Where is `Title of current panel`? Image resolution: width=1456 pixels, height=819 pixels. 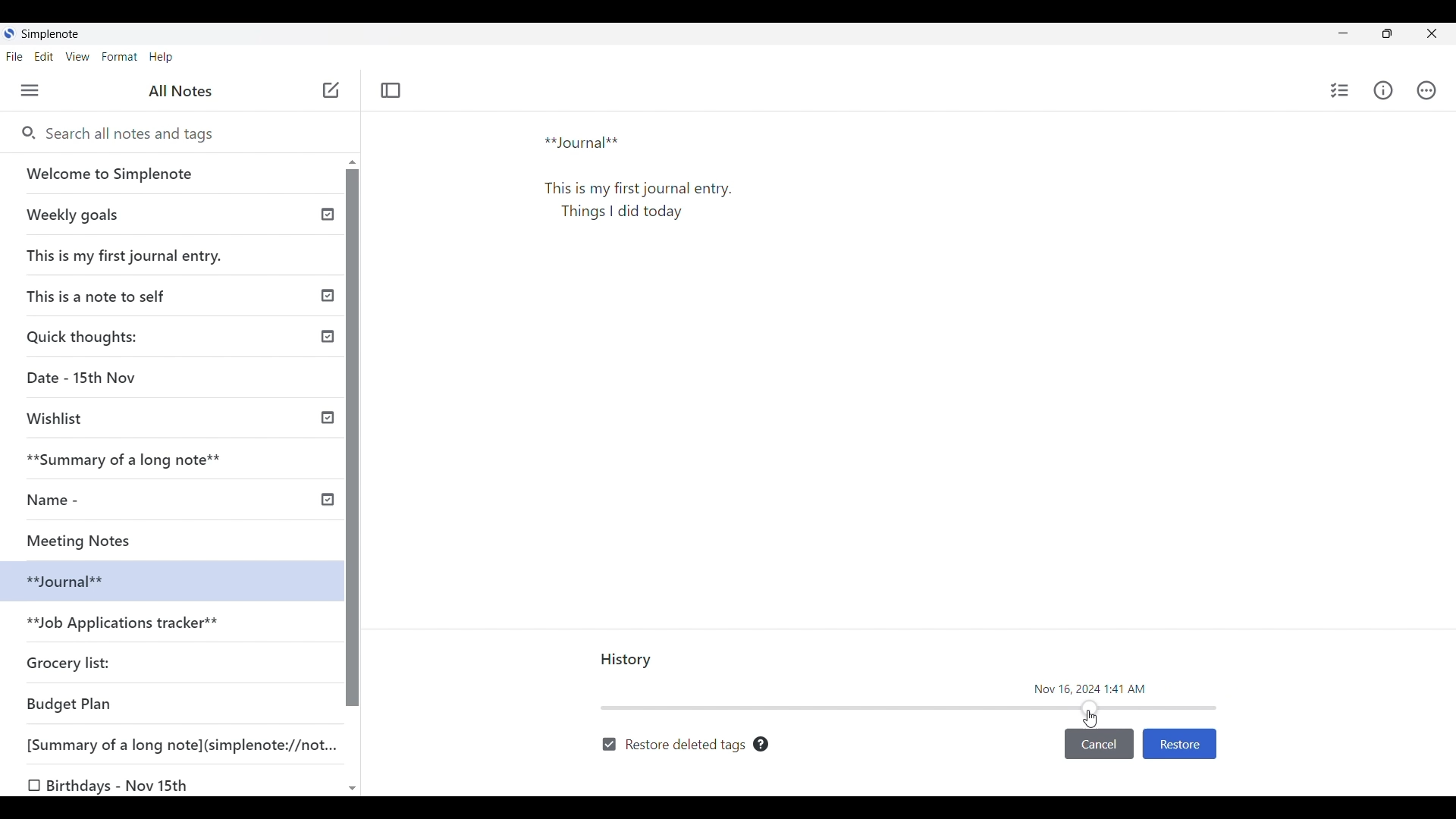
Title of current panel is located at coordinates (627, 661).